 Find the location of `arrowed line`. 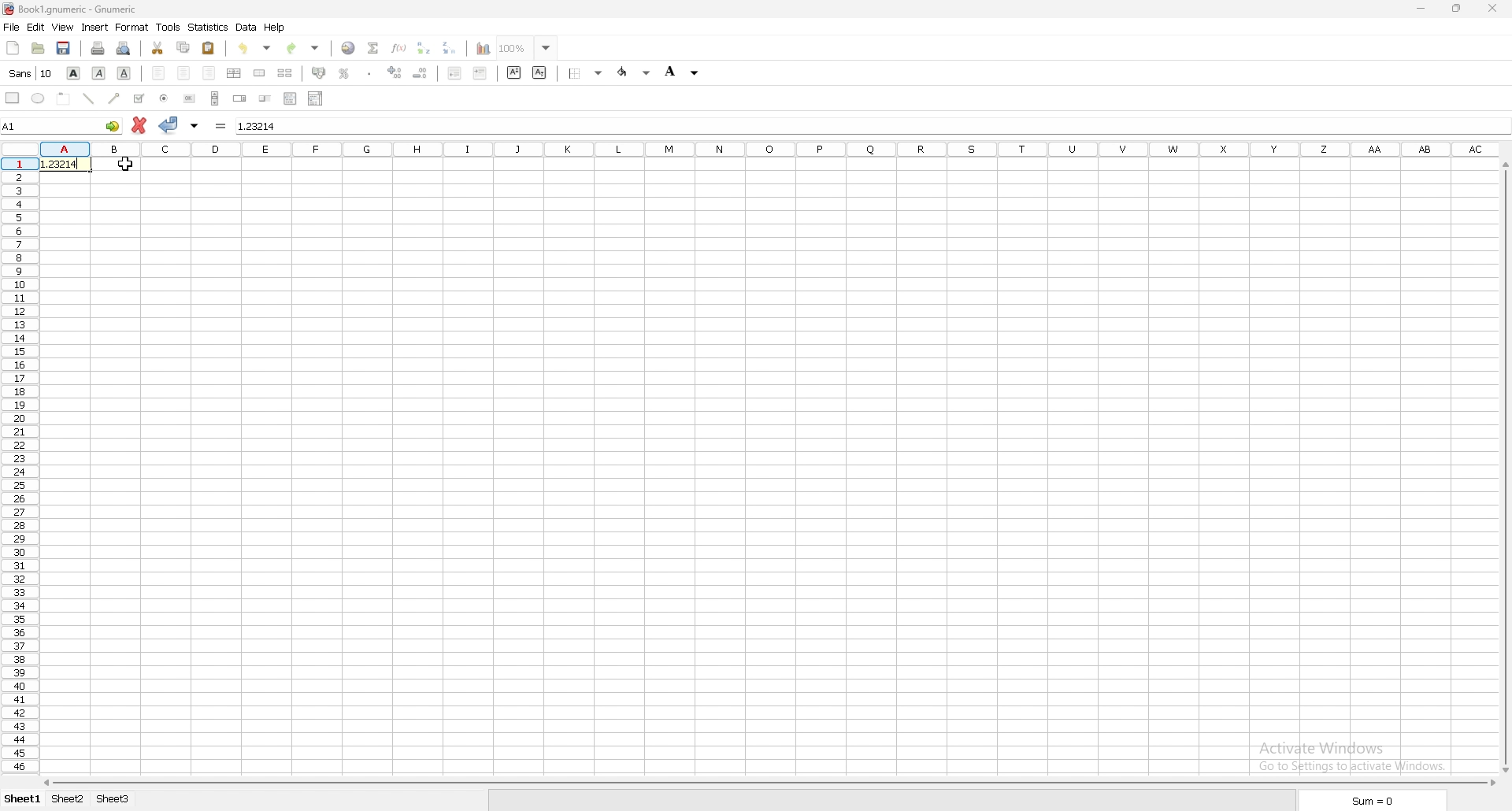

arrowed line is located at coordinates (114, 98).